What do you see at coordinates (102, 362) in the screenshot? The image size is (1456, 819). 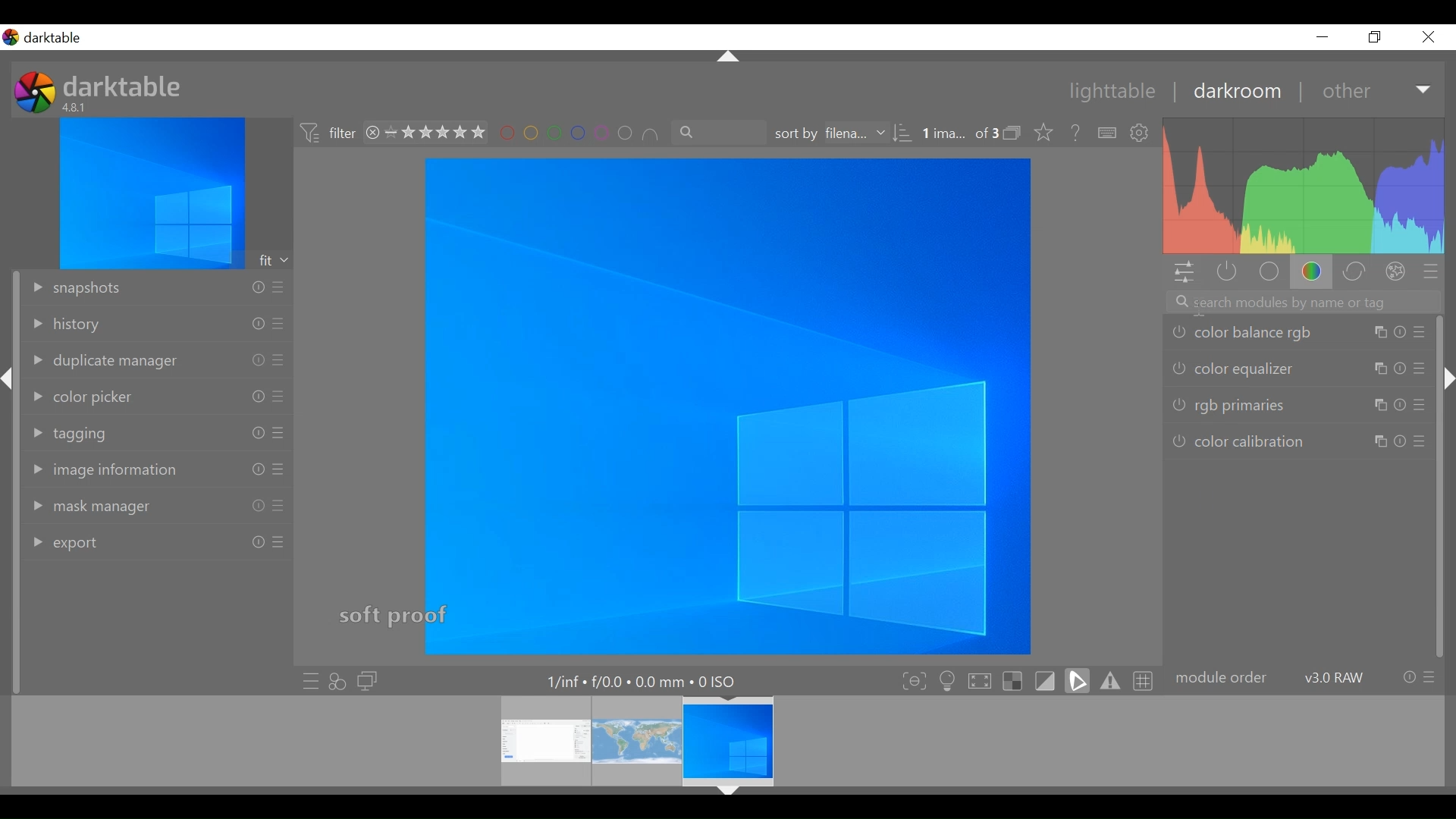 I see `duplicate manager` at bounding box center [102, 362].